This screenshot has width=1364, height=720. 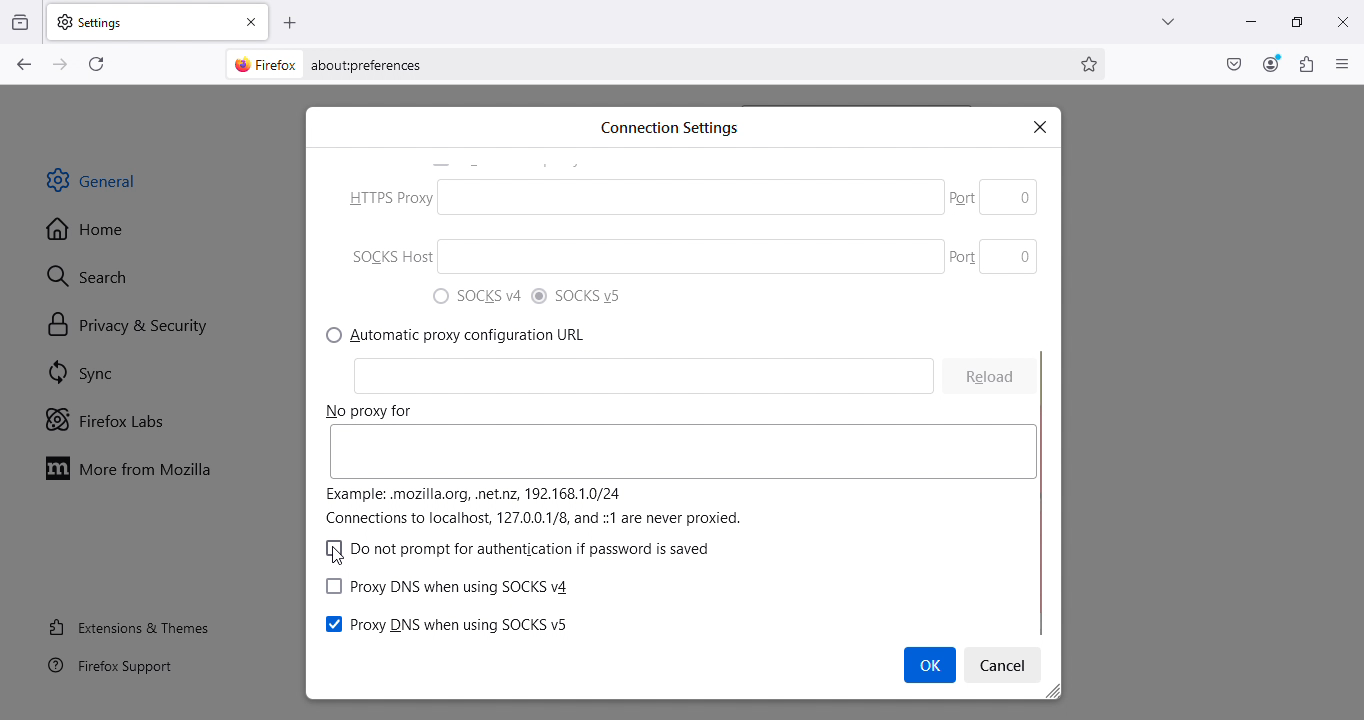 What do you see at coordinates (58, 63) in the screenshot?
I see `Go forward one page` at bounding box center [58, 63].